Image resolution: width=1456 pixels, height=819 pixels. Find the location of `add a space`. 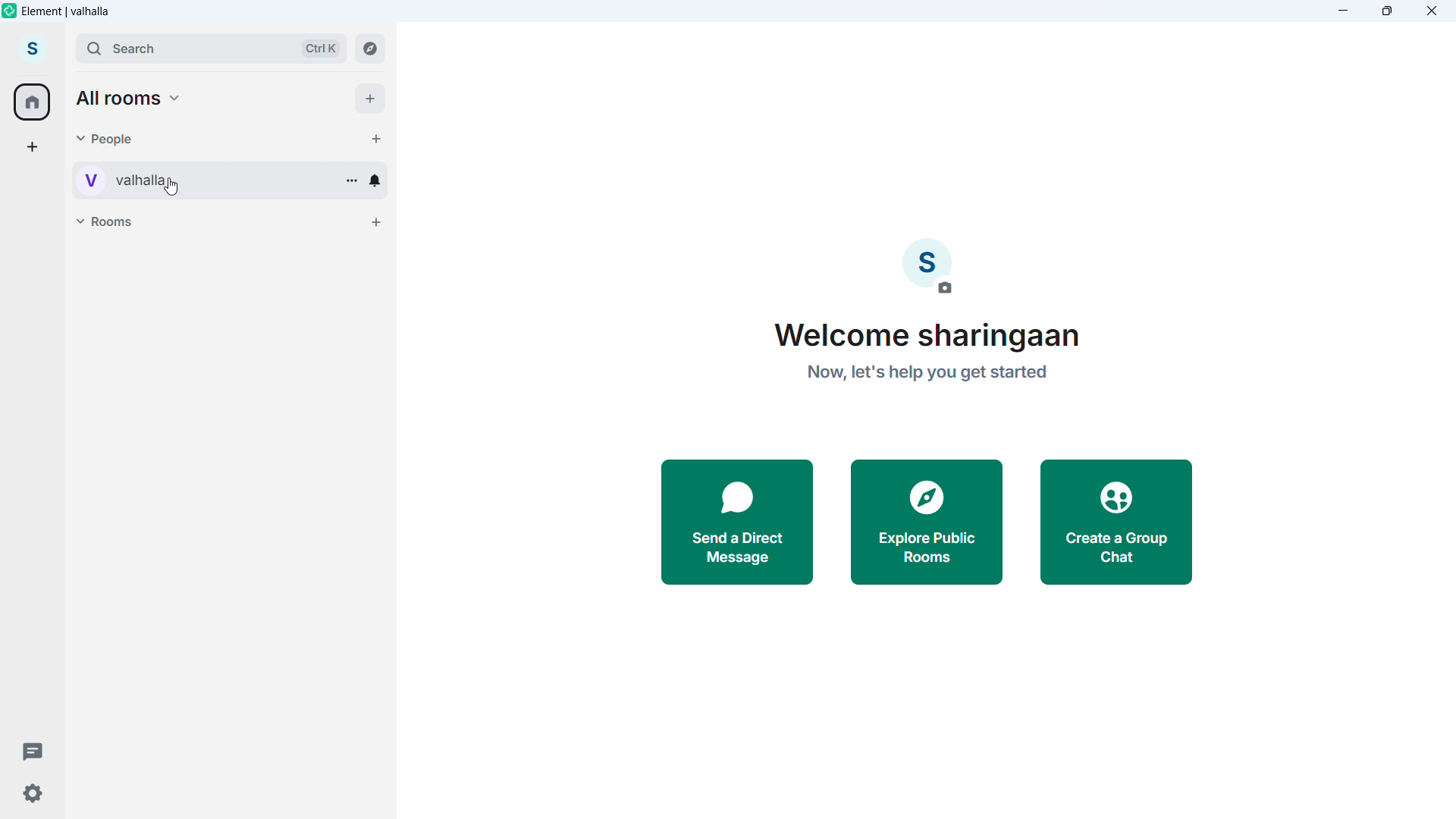

add a space is located at coordinates (32, 147).